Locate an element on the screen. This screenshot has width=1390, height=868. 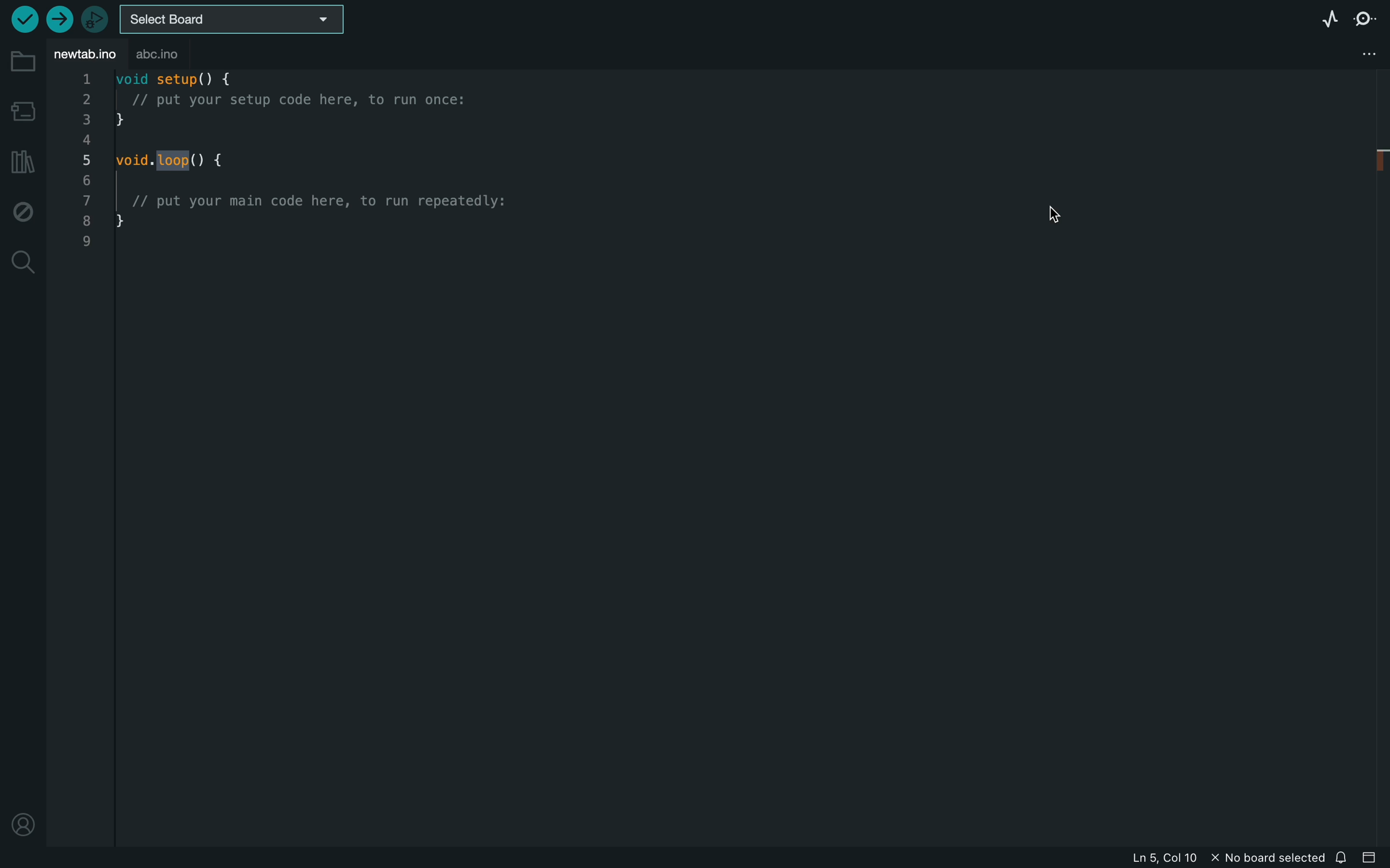
debugger is located at coordinates (95, 18).